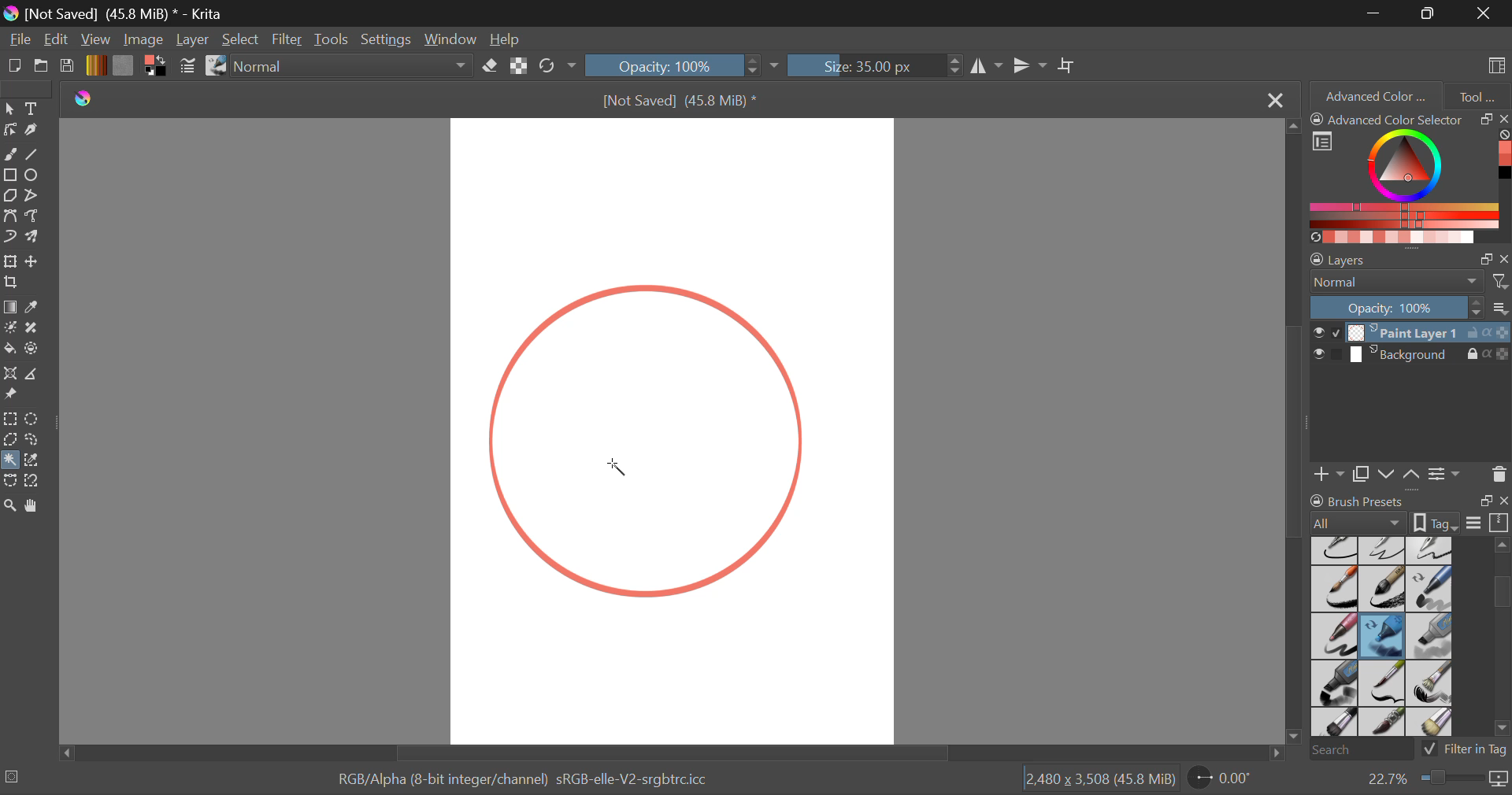  Describe the element at coordinates (668, 752) in the screenshot. I see `Scroll Bar` at that location.